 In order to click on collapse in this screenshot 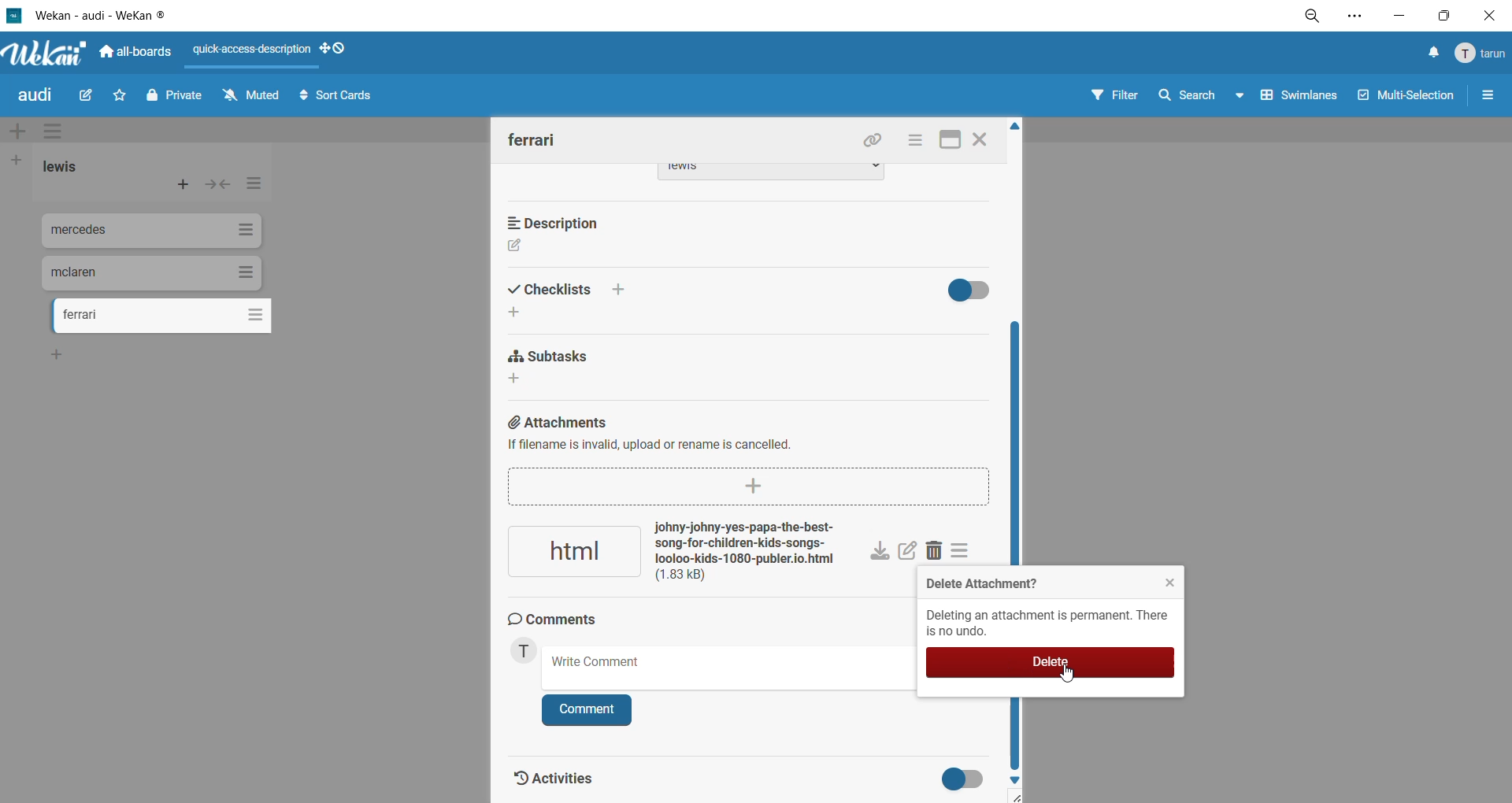, I will do `click(220, 186)`.